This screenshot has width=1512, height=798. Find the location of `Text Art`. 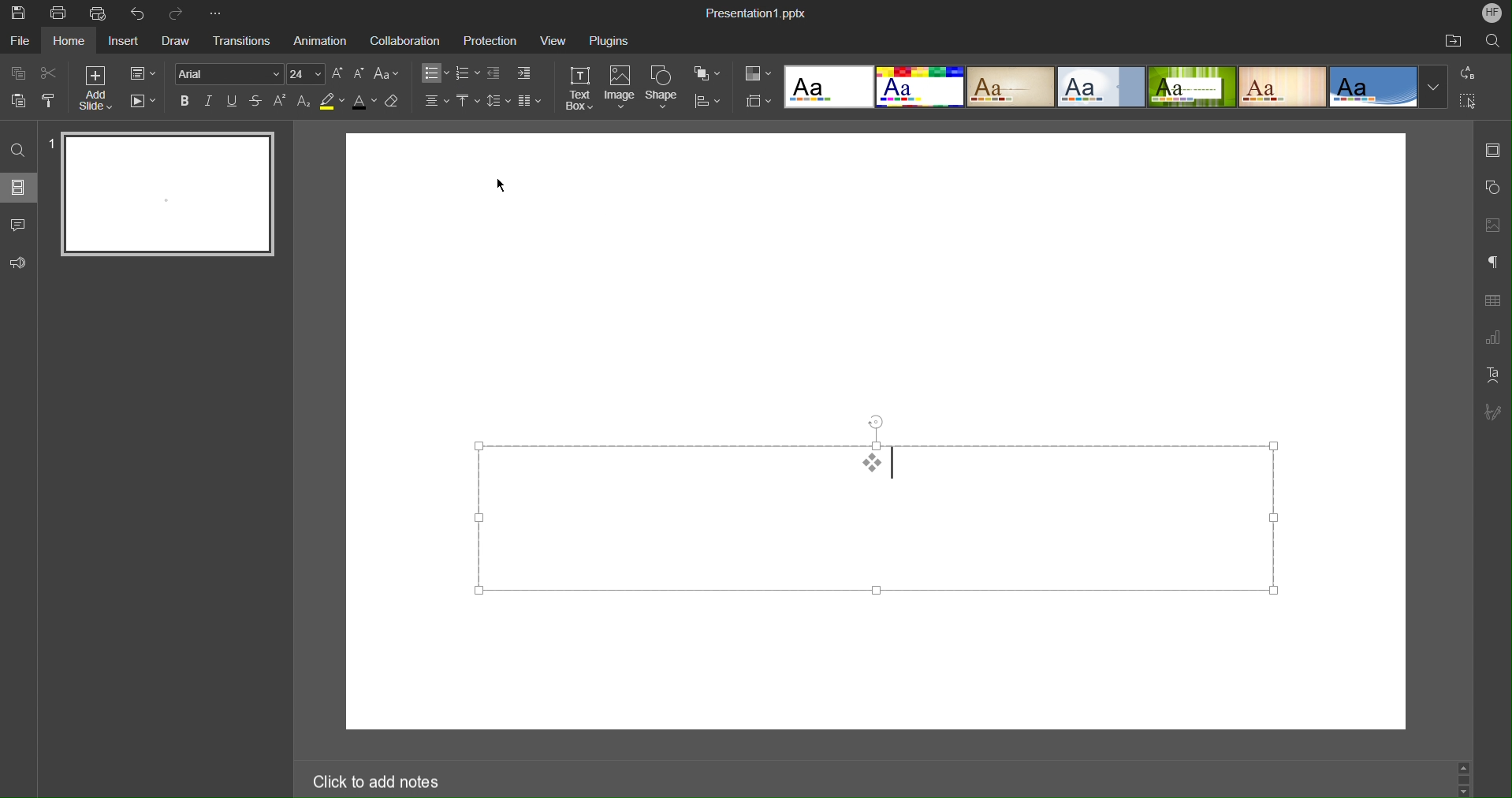

Text Art is located at coordinates (1493, 374).